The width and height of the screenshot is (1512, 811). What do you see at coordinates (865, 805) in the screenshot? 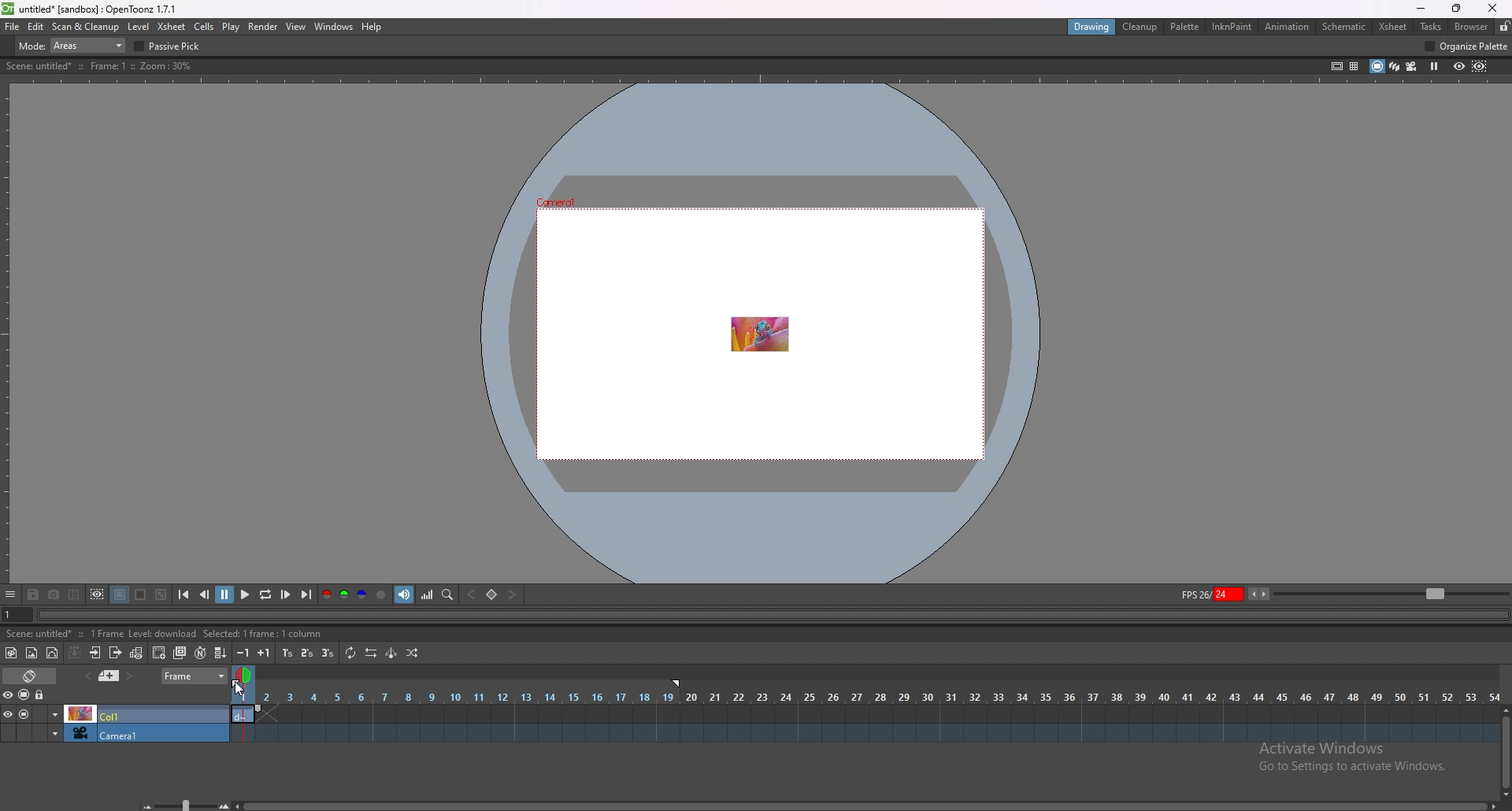
I see `scroll bar` at bounding box center [865, 805].